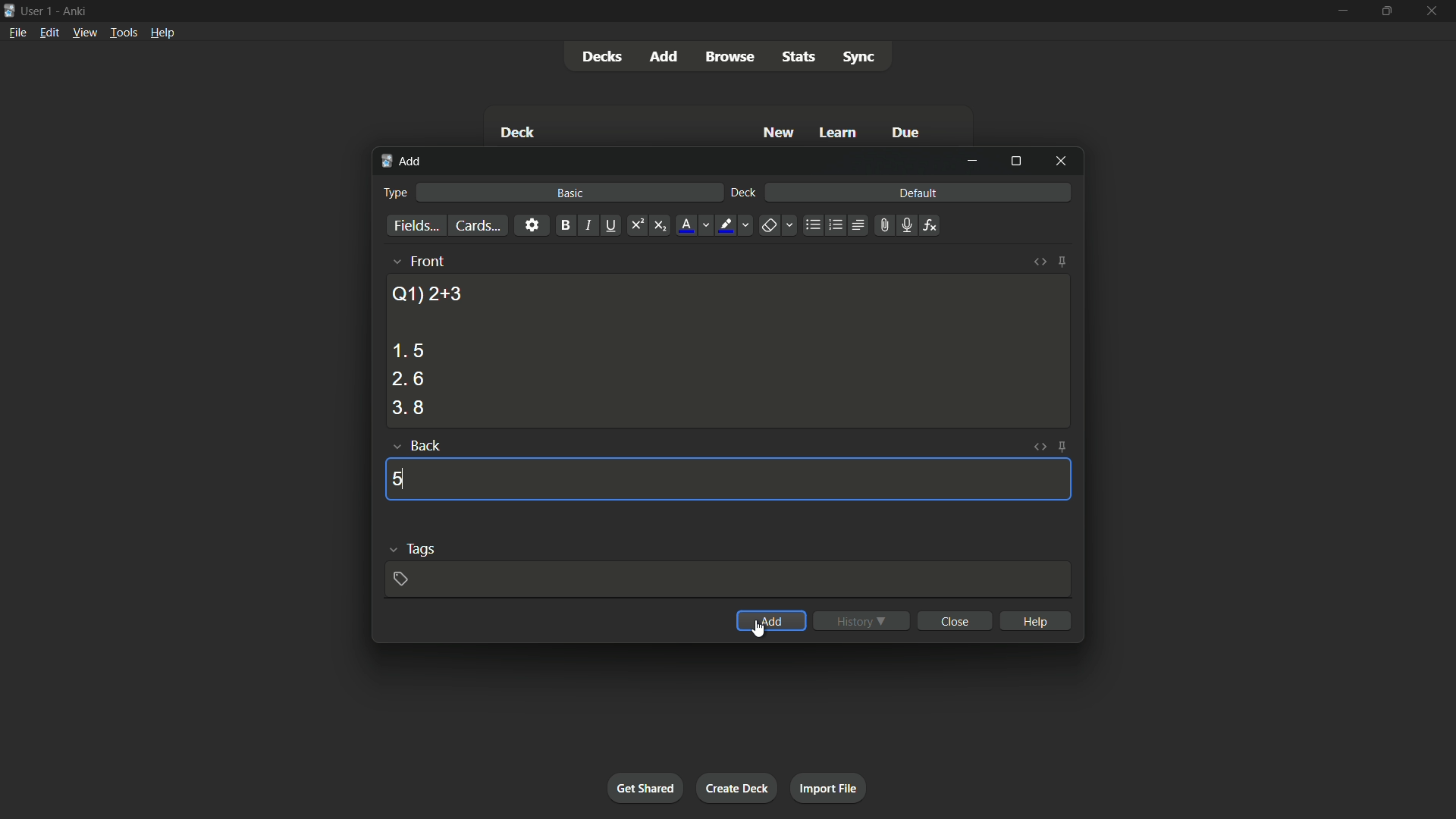 The height and width of the screenshot is (819, 1456). Describe the element at coordinates (427, 293) in the screenshot. I see `question` at that location.